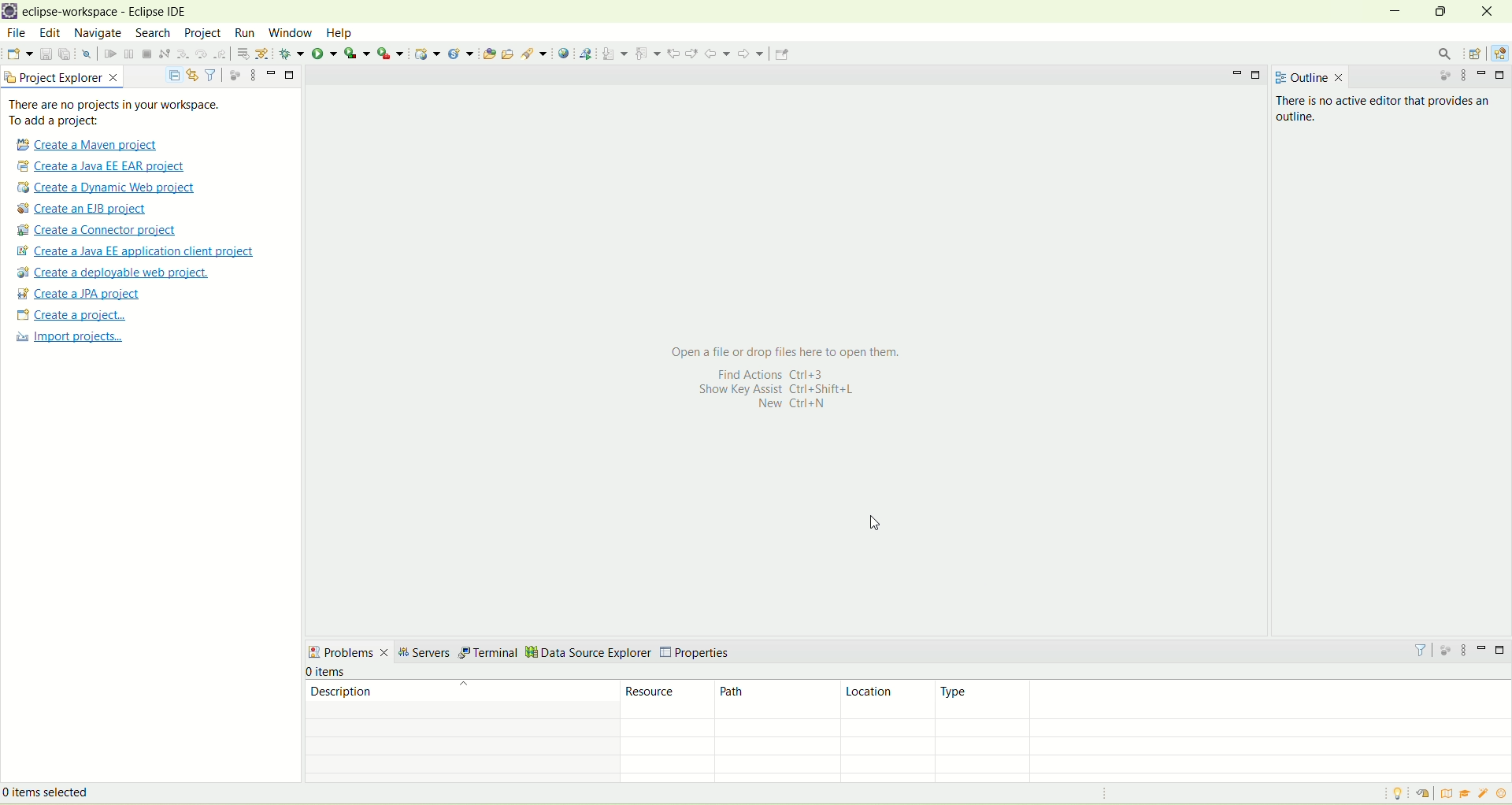  What do you see at coordinates (1499, 54) in the screenshot?
I see `Java EE` at bounding box center [1499, 54].